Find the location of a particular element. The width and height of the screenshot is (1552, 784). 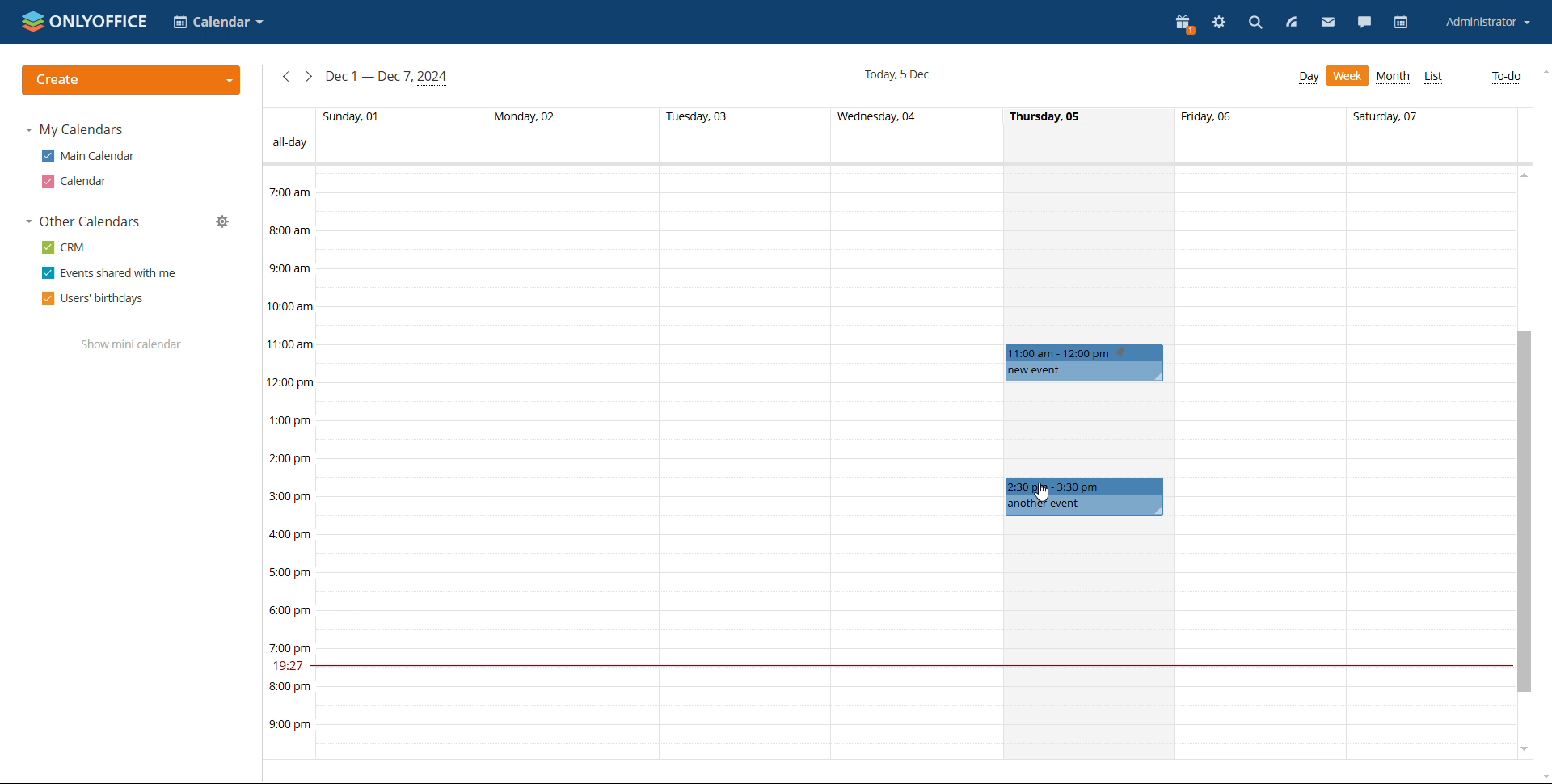

10:00 am is located at coordinates (286, 306).